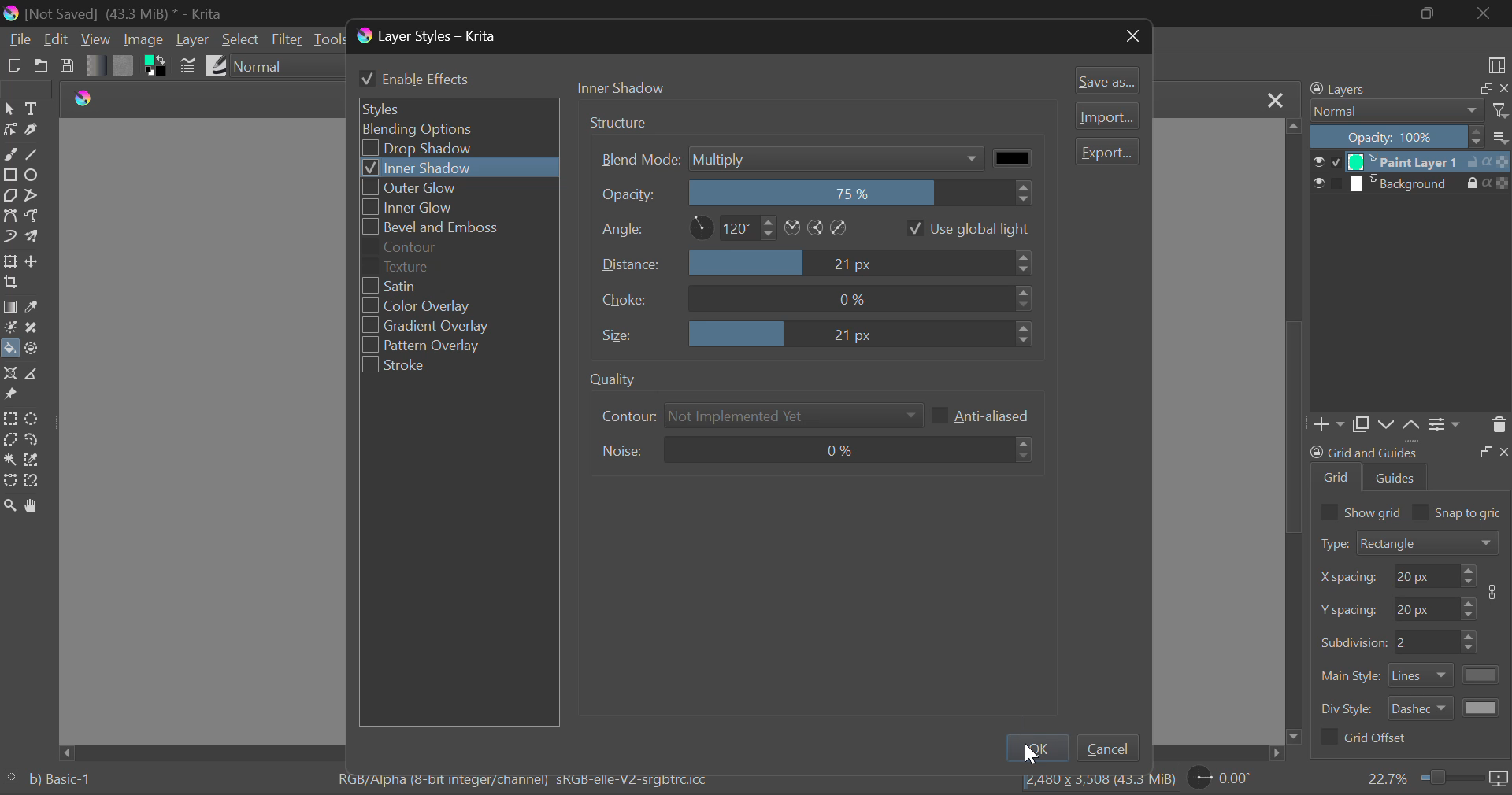  What do you see at coordinates (96, 41) in the screenshot?
I see `View` at bounding box center [96, 41].